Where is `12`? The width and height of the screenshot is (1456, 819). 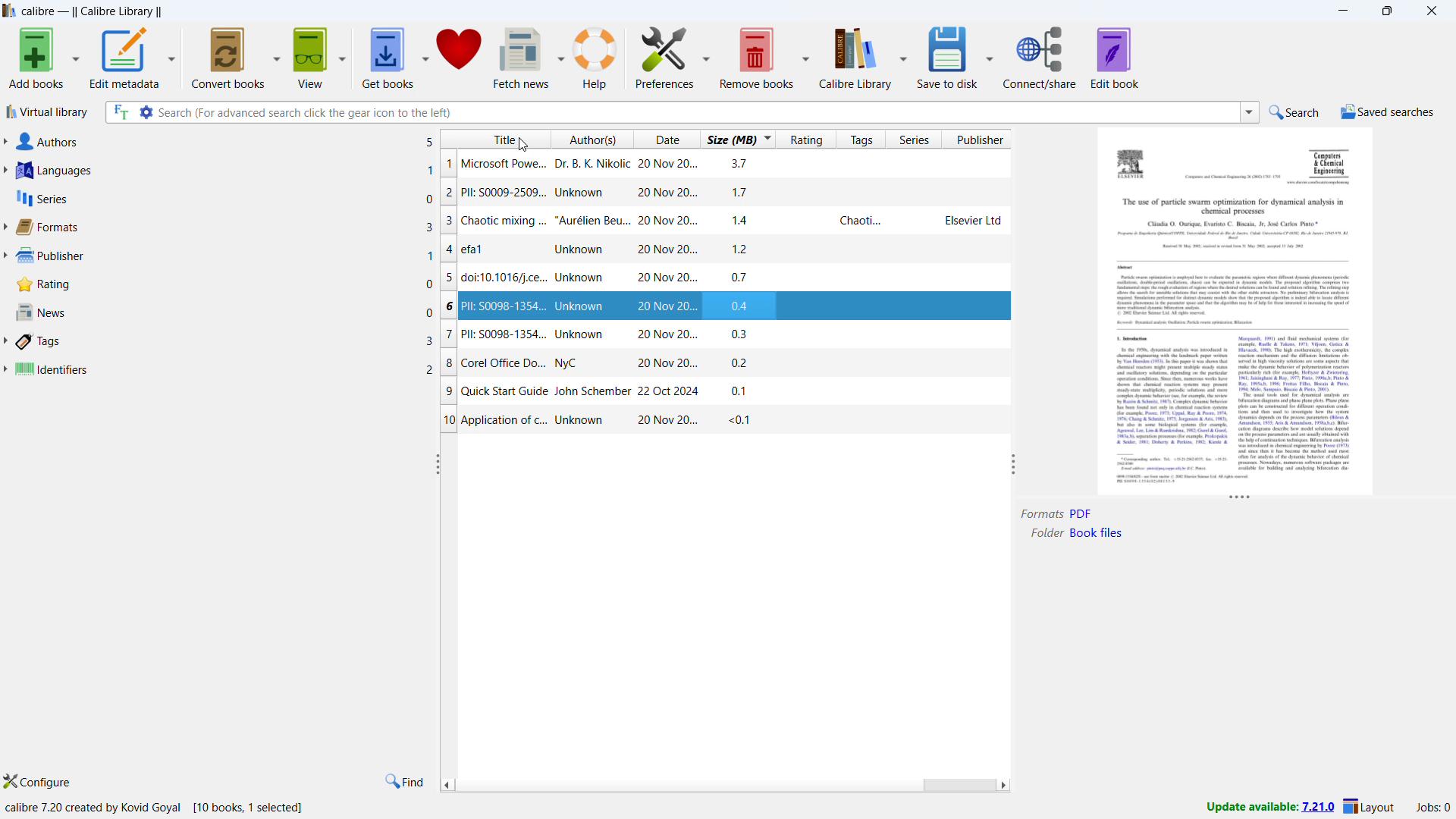
12 is located at coordinates (739, 249).